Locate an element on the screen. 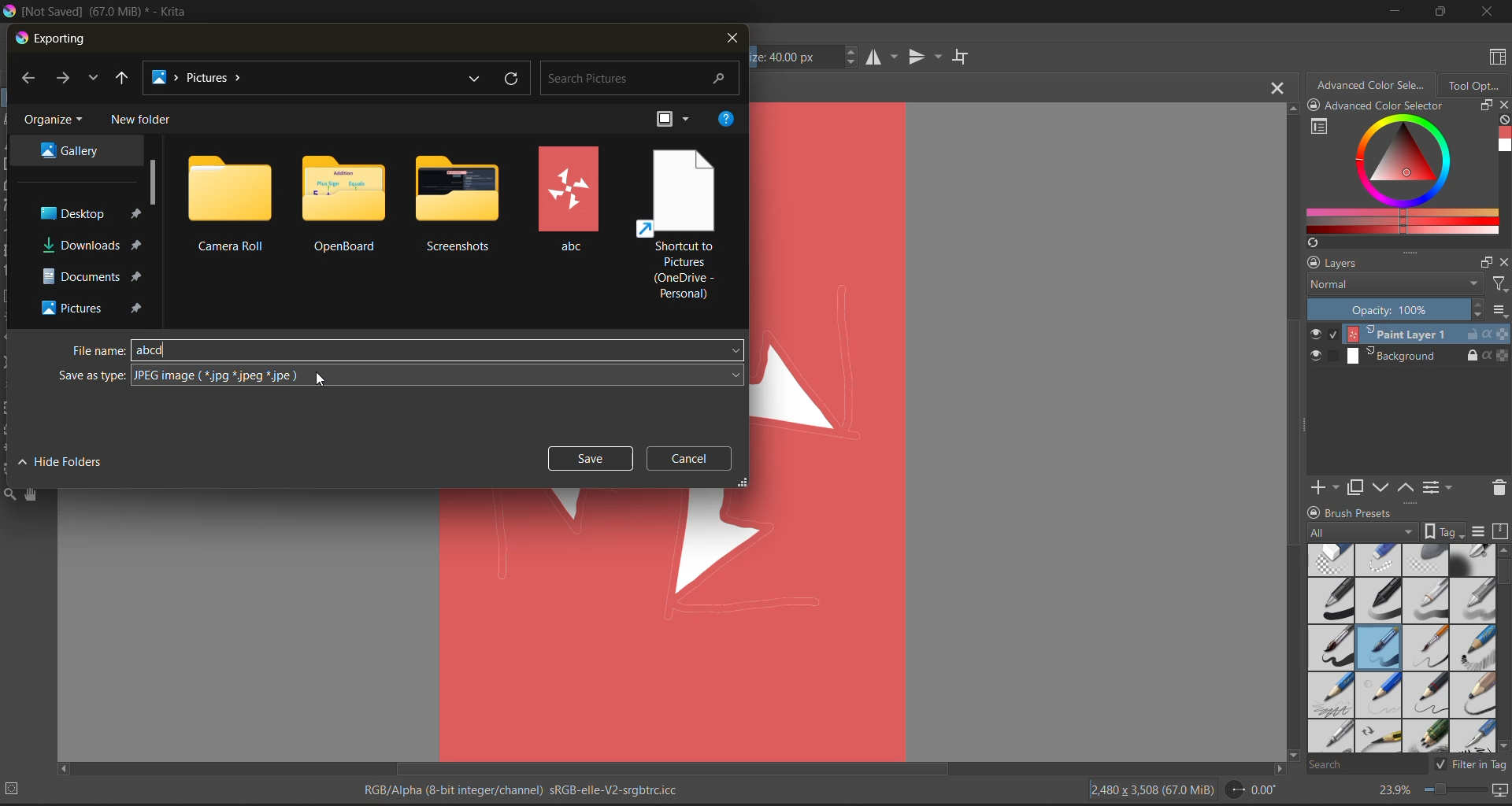 This screenshot has width=1512, height=806. up to desktop is located at coordinates (124, 78).